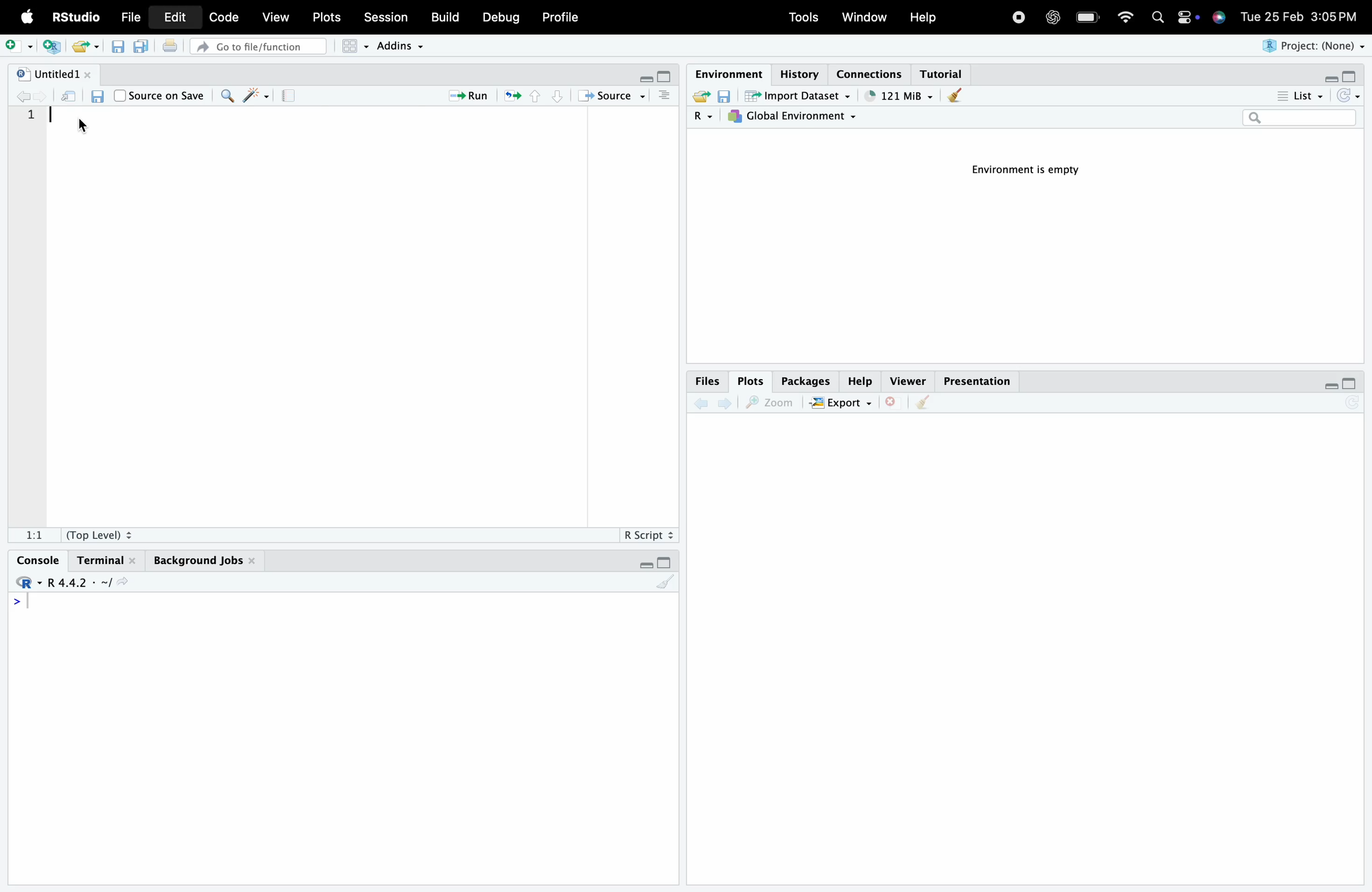 The height and width of the screenshot is (892, 1372). Describe the element at coordinates (866, 18) in the screenshot. I see `Window` at that location.